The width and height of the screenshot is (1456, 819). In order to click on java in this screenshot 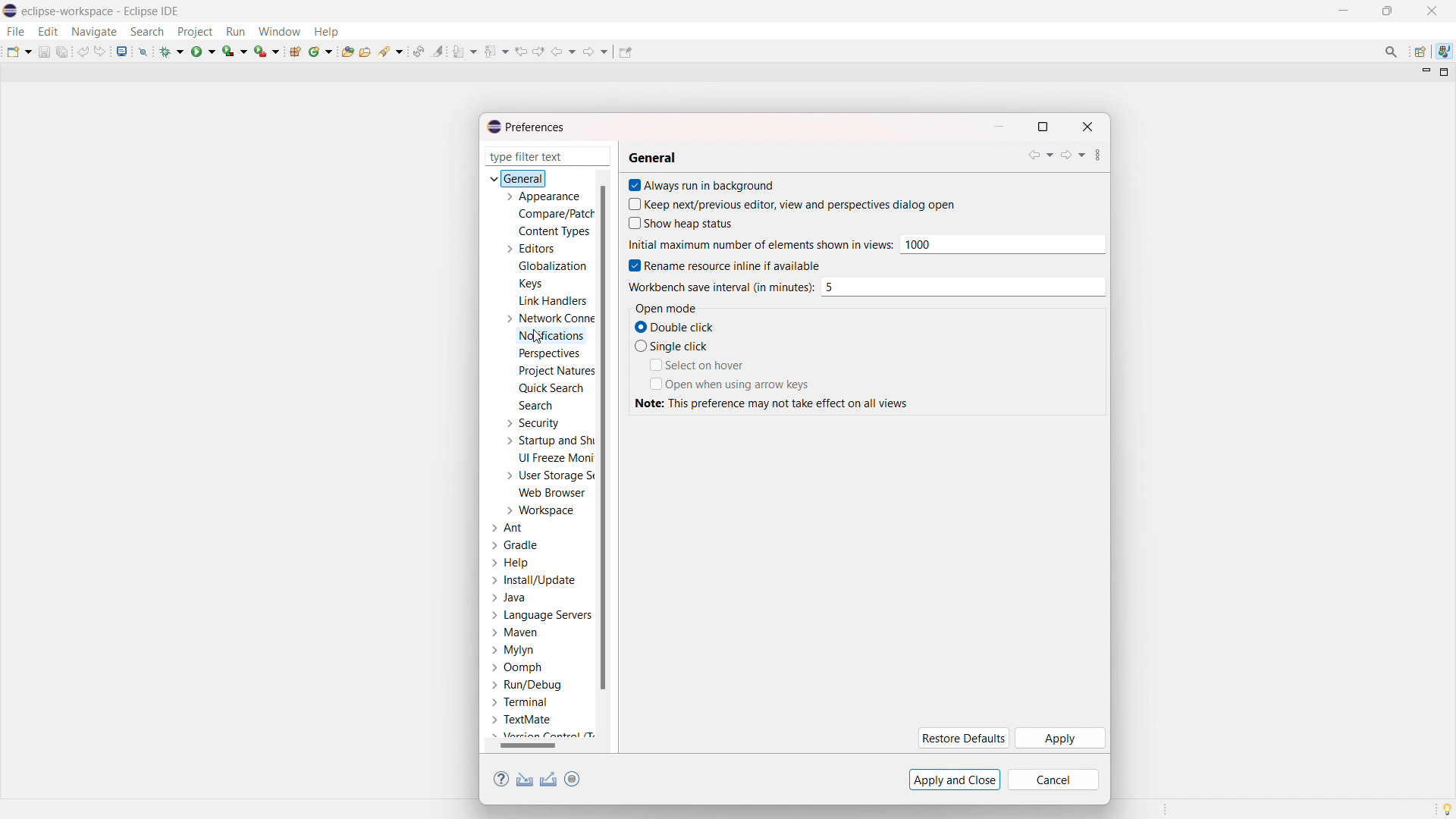, I will do `click(1445, 52)`.